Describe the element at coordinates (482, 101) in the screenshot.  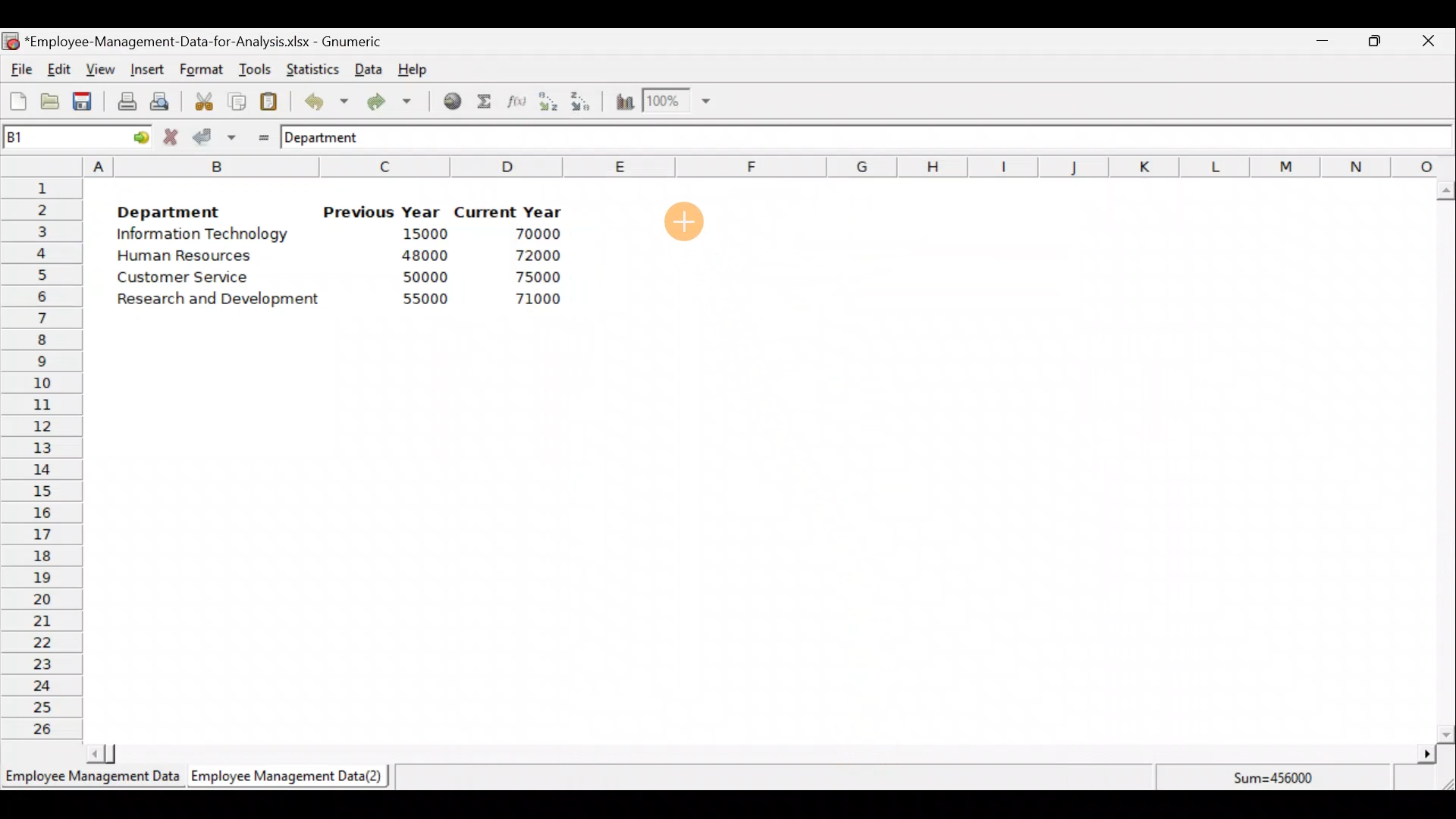
I see `Sum into the current cell` at that location.